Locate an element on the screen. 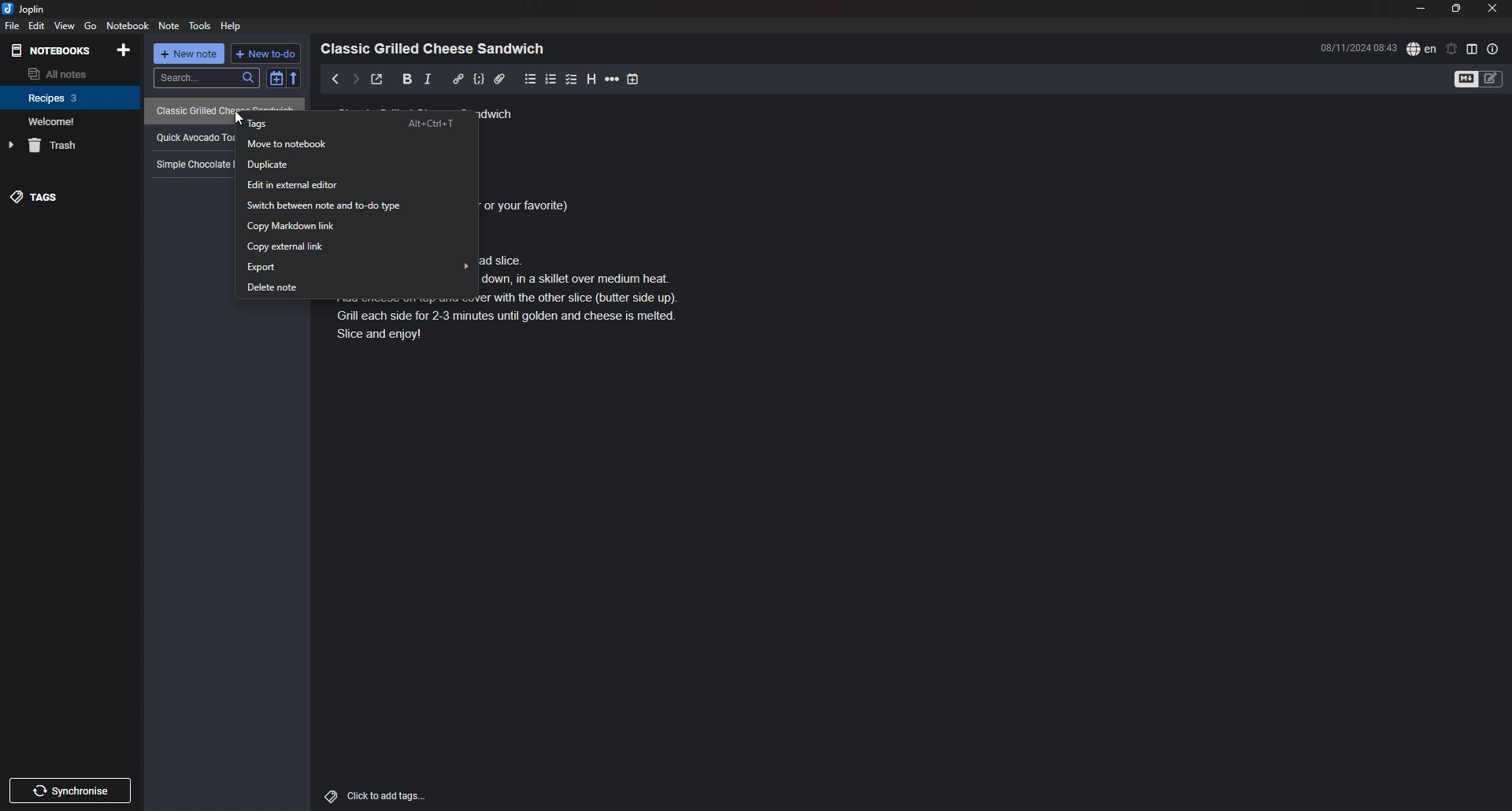  recipe is located at coordinates (191, 164).